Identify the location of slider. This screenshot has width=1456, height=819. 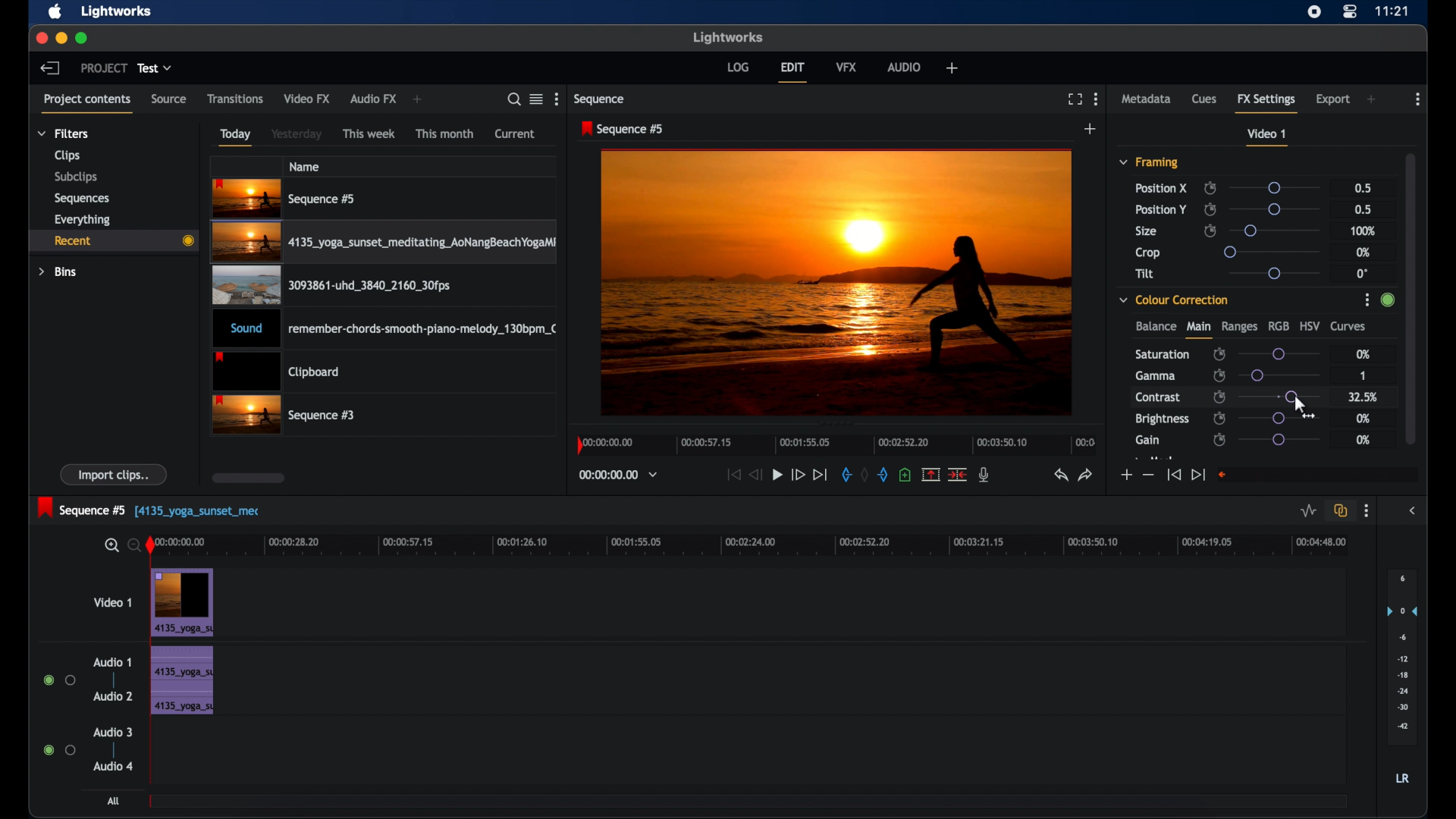
(1278, 419).